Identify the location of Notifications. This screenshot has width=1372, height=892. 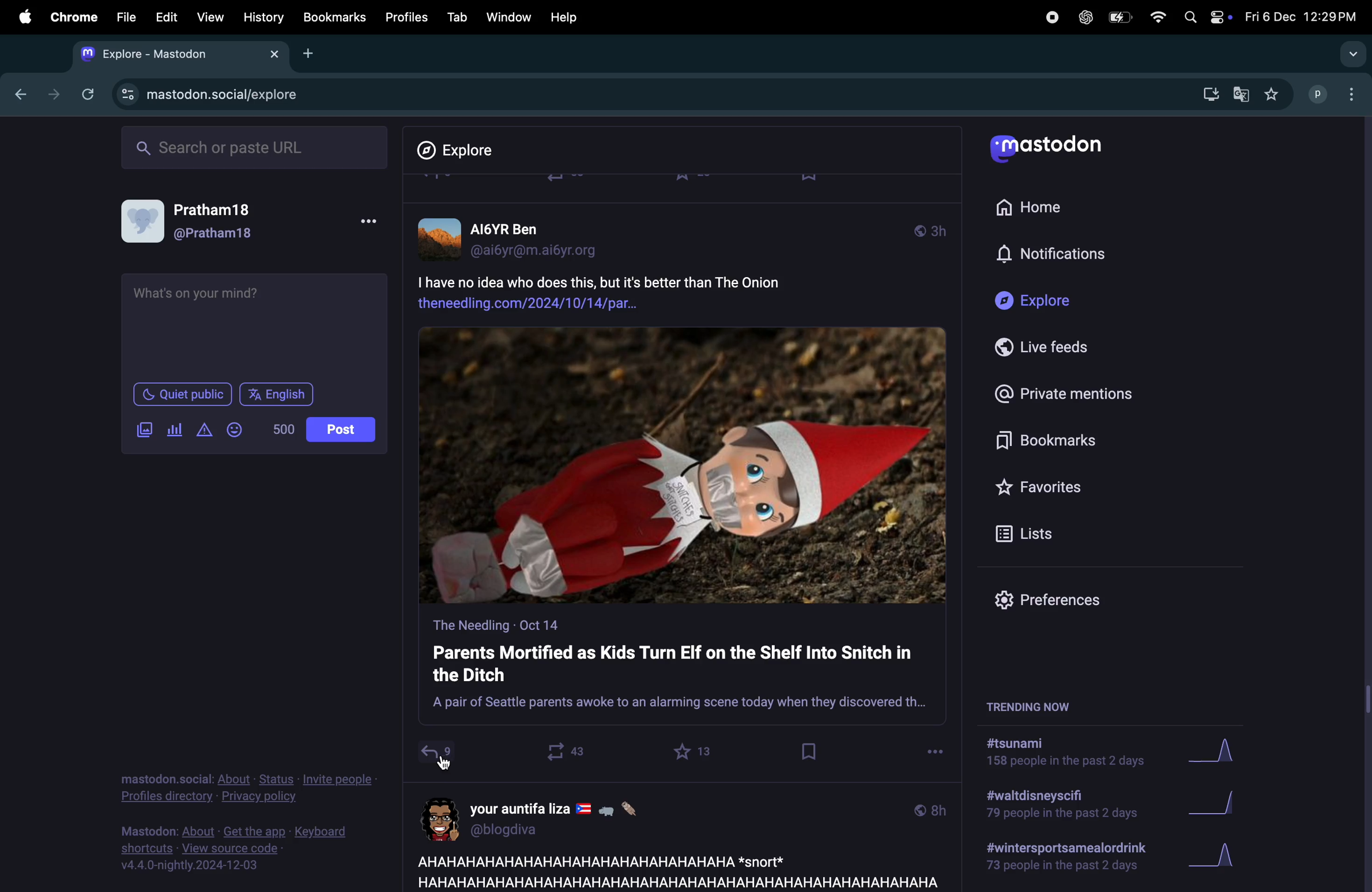
(1054, 255).